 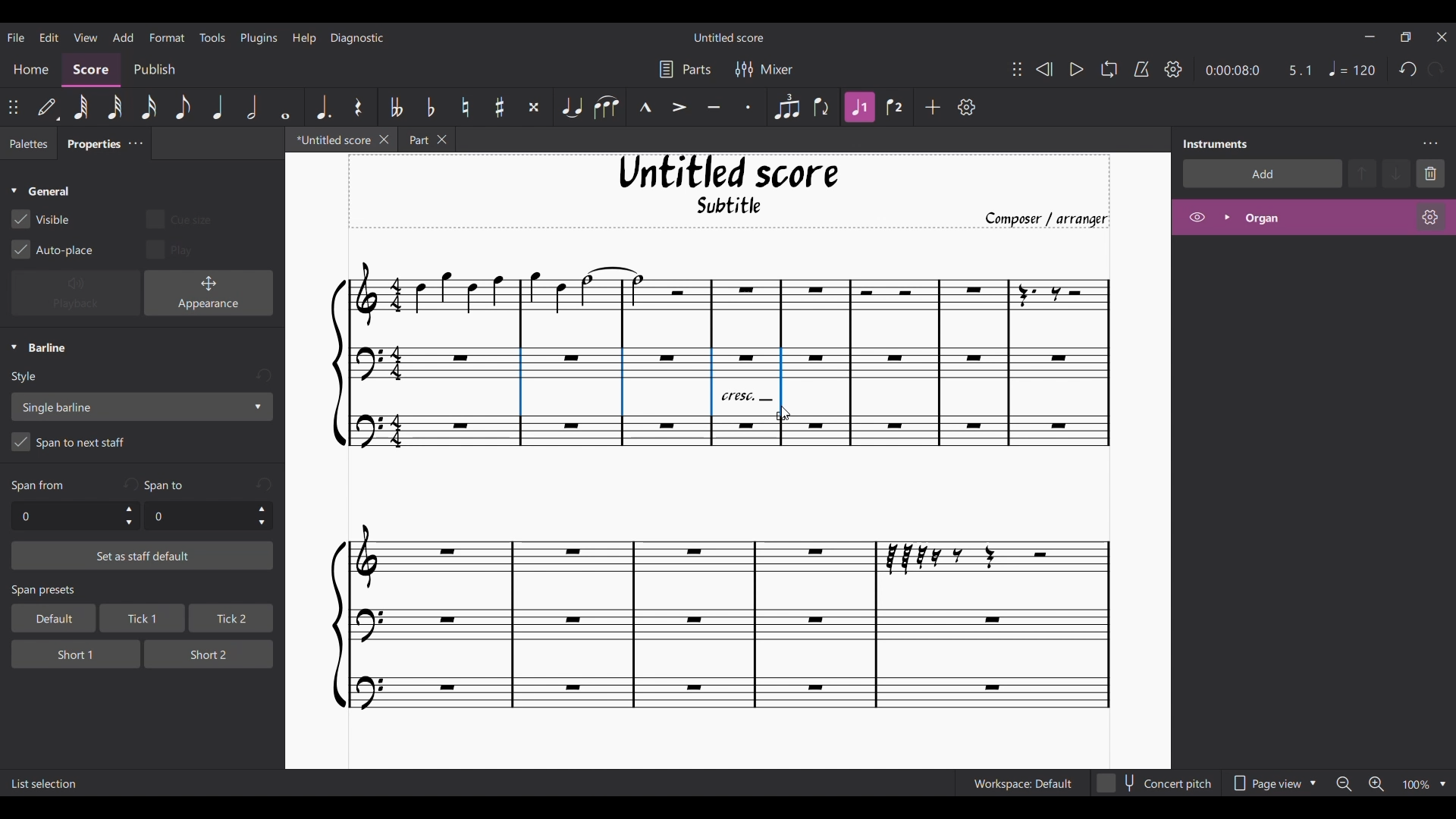 What do you see at coordinates (89, 146) in the screenshot?
I see `Properties tab, current selection` at bounding box center [89, 146].